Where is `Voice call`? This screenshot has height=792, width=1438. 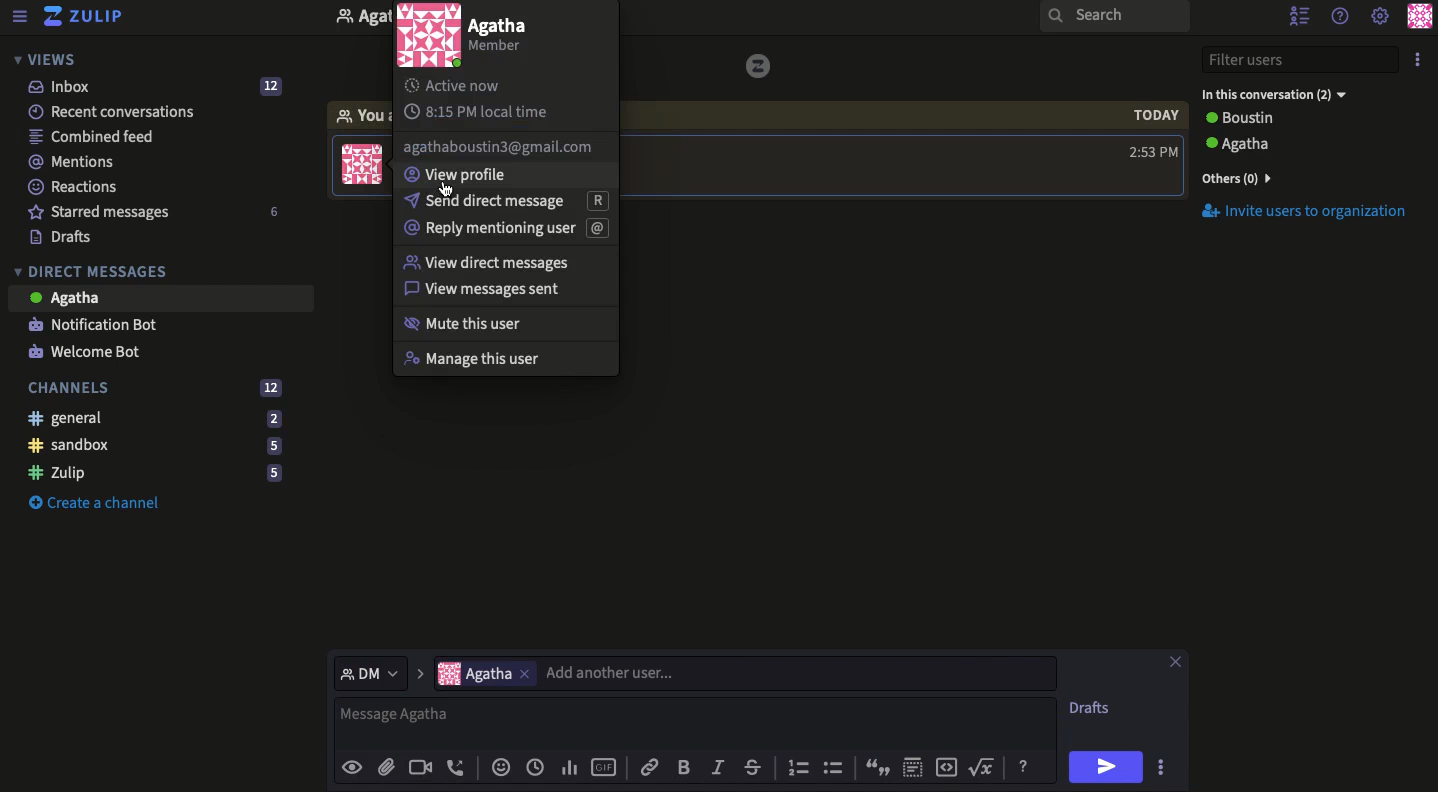 Voice call is located at coordinates (456, 767).